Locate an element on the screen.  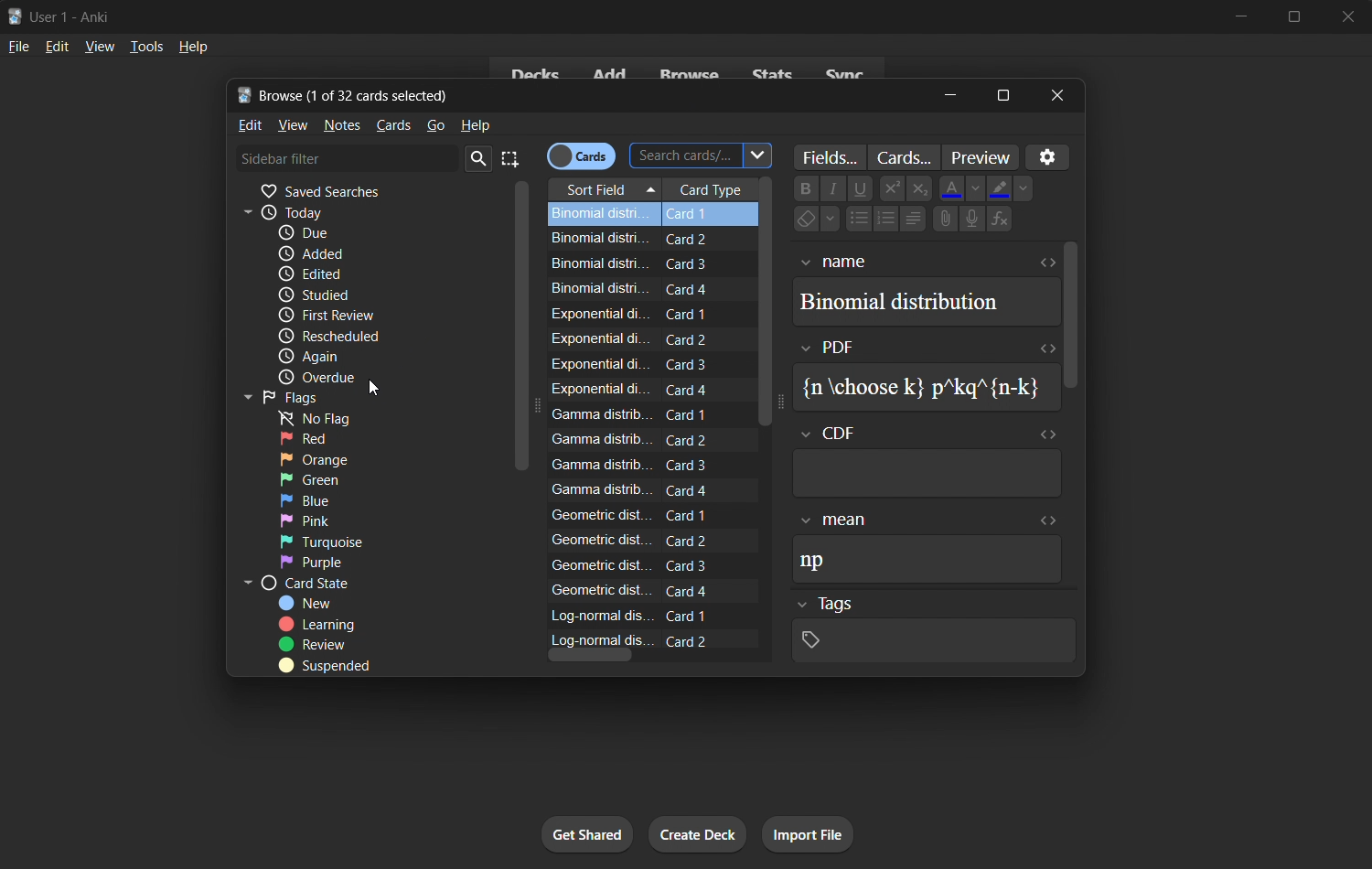
 is located at coordinates (913, 218).